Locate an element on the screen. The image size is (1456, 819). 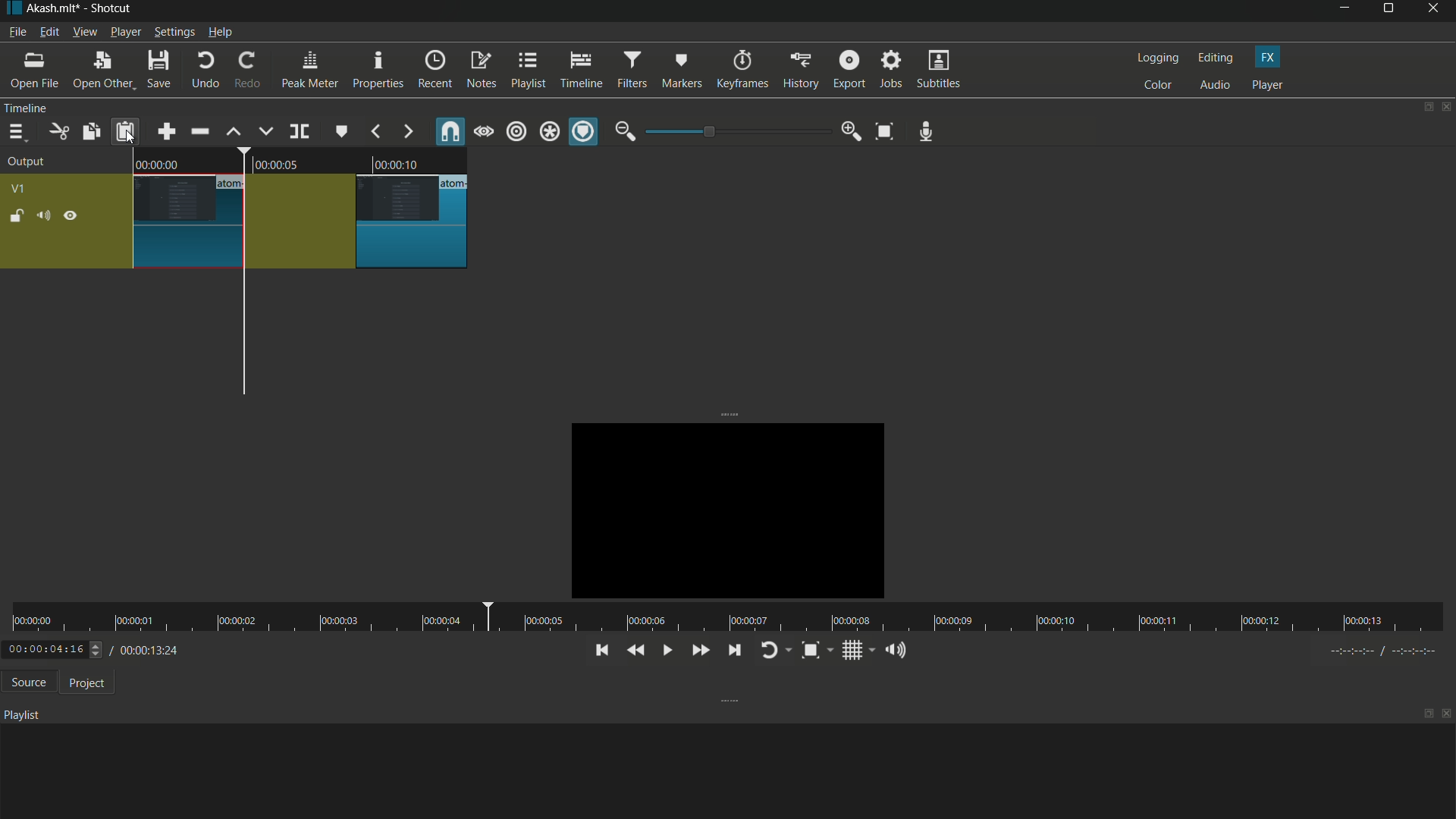
toggle player looping is located at coordinates (773, 651).